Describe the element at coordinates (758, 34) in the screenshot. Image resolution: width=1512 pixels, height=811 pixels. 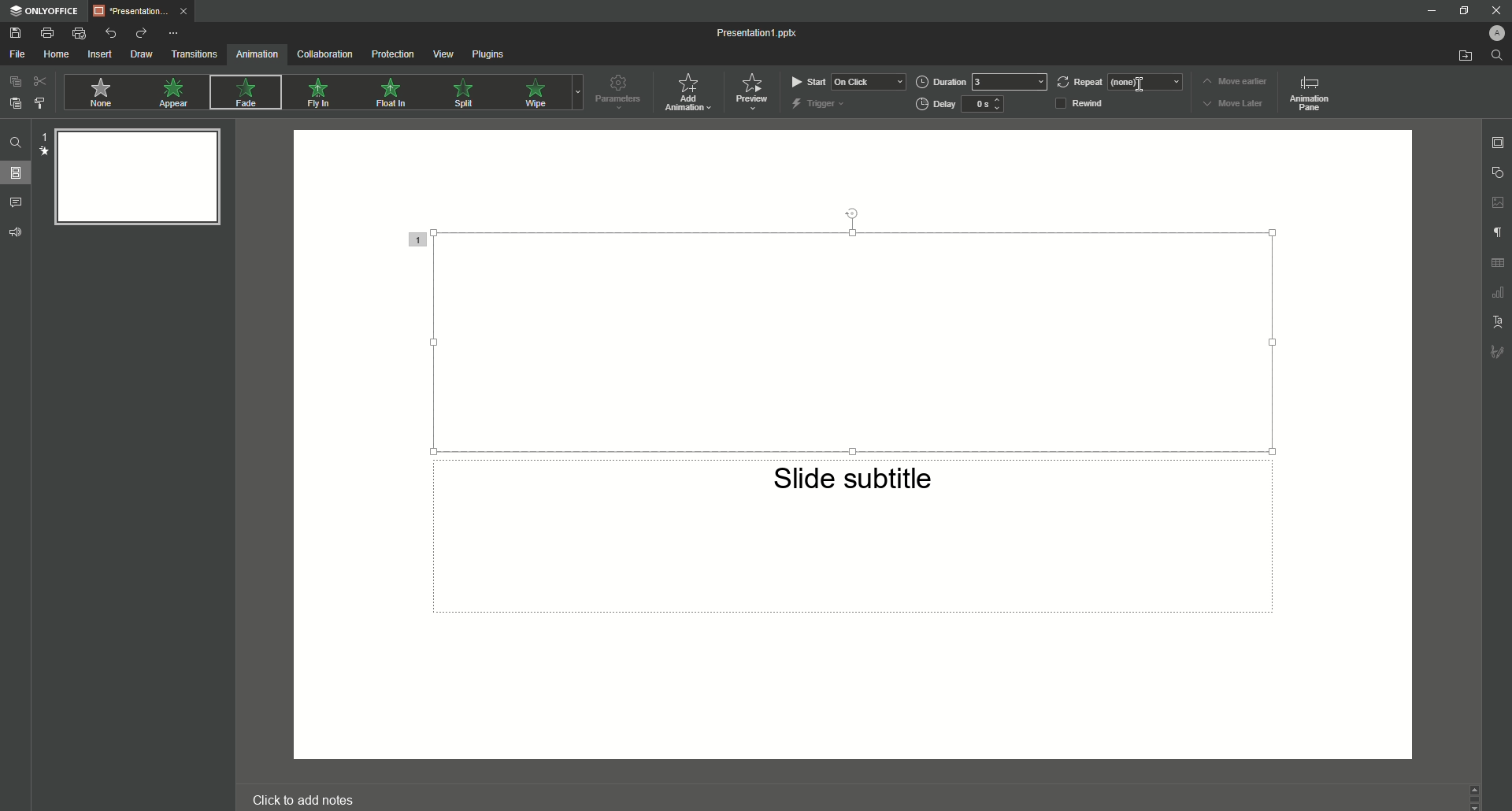
I see `Presentation 1` at that location.